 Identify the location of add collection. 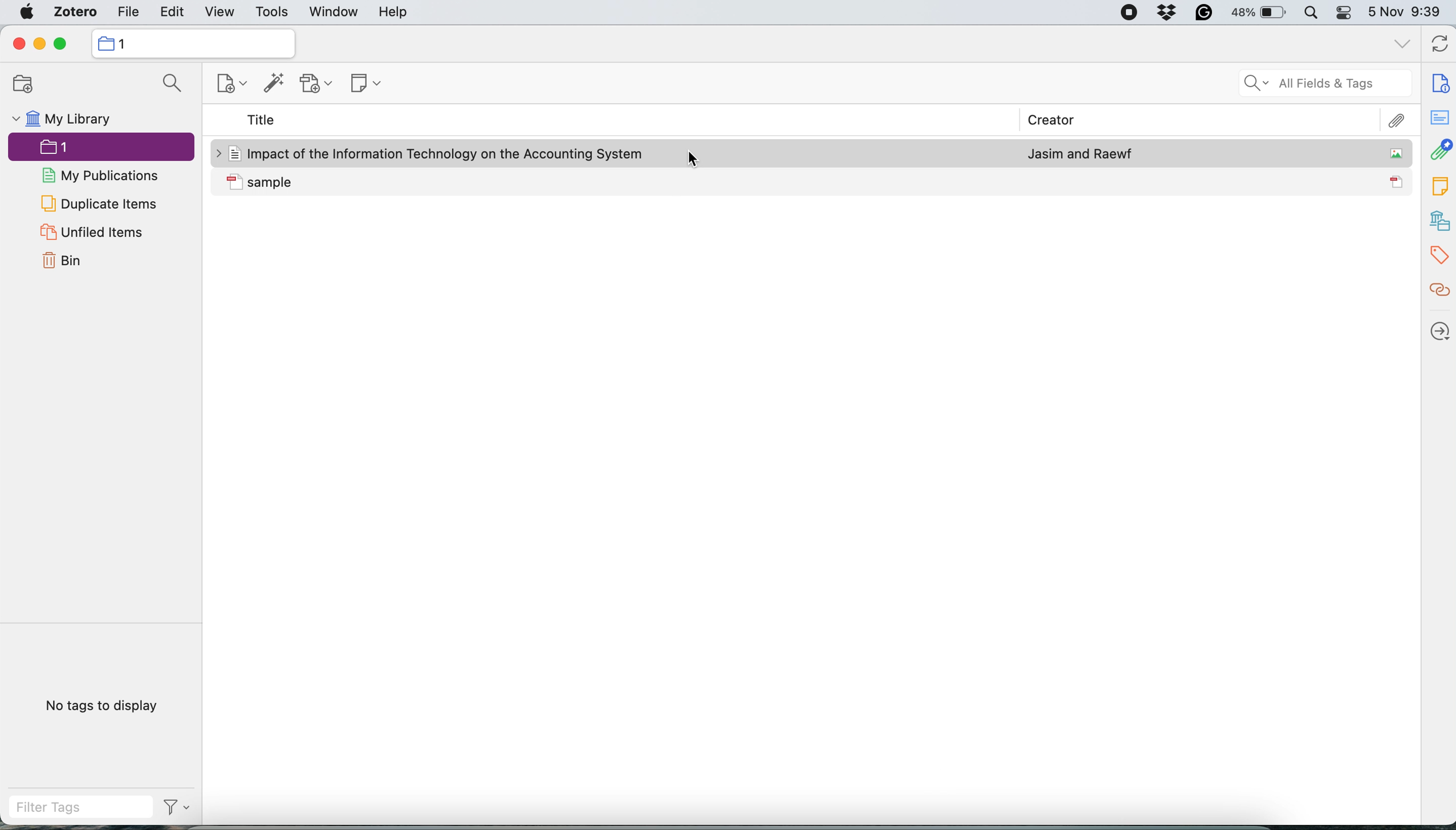
(27, 85).